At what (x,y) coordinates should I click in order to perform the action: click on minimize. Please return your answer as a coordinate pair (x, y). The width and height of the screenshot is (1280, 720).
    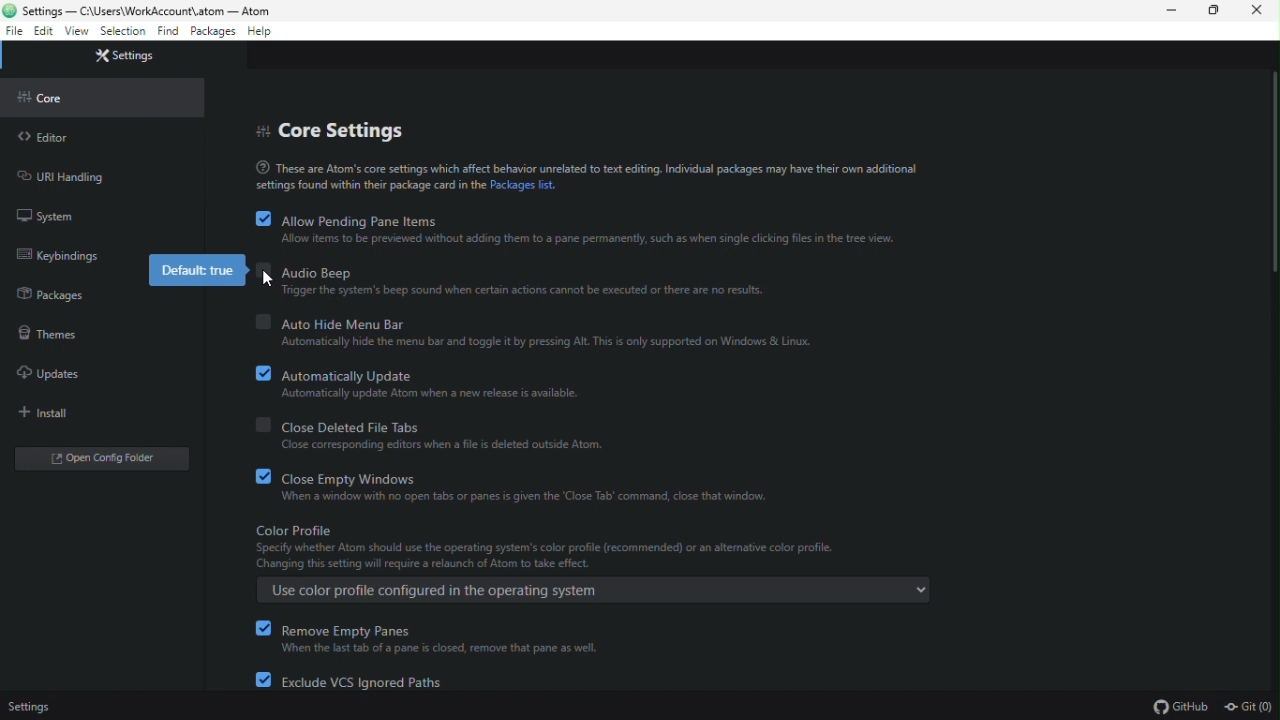
    Looking at the image, I should click on (1176, 16).